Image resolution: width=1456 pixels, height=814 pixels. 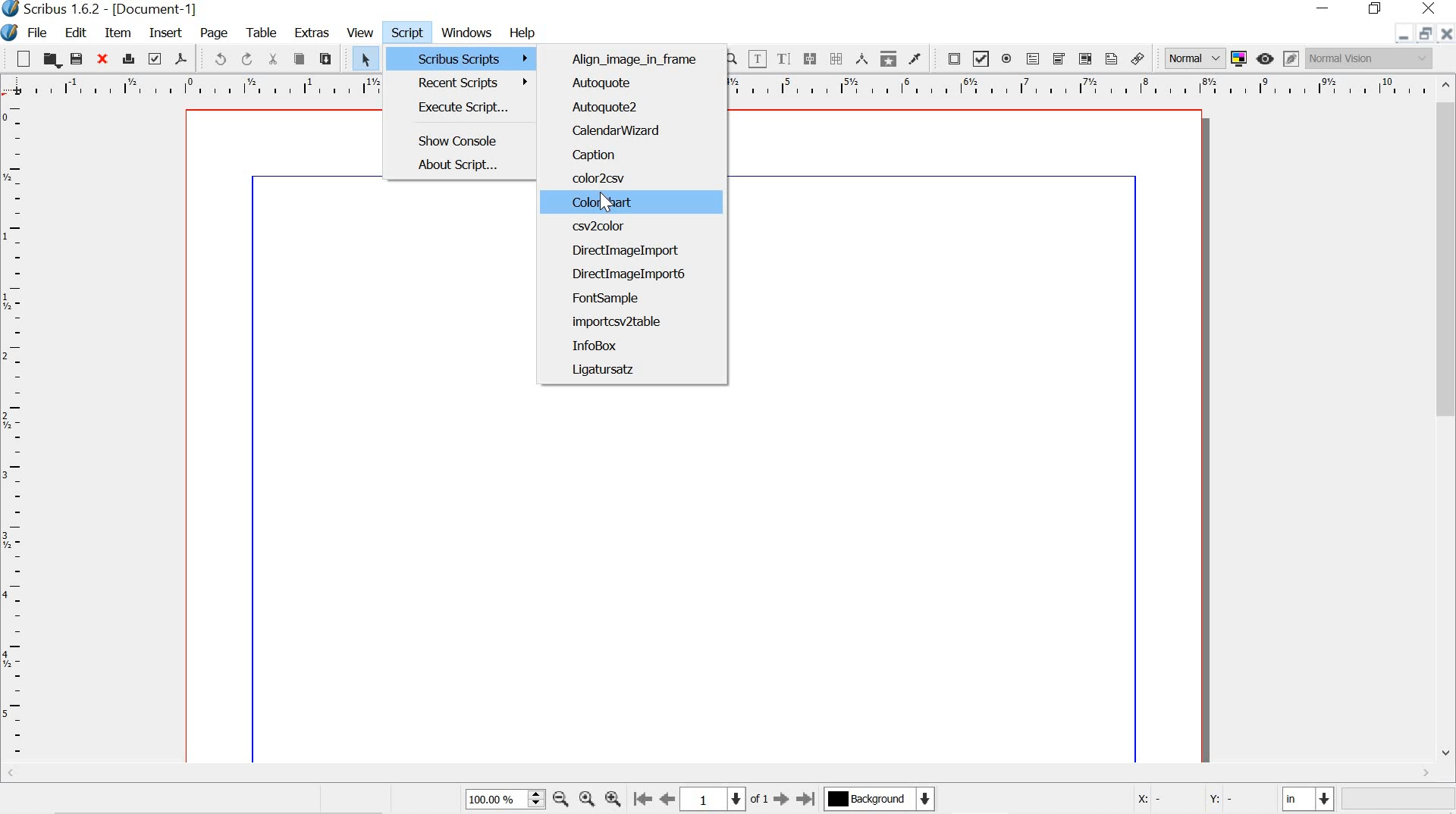 What do you see at coordinates (1267, 58) in the screenshot?
I see `preview mode` at bounding box center [1267, 58].